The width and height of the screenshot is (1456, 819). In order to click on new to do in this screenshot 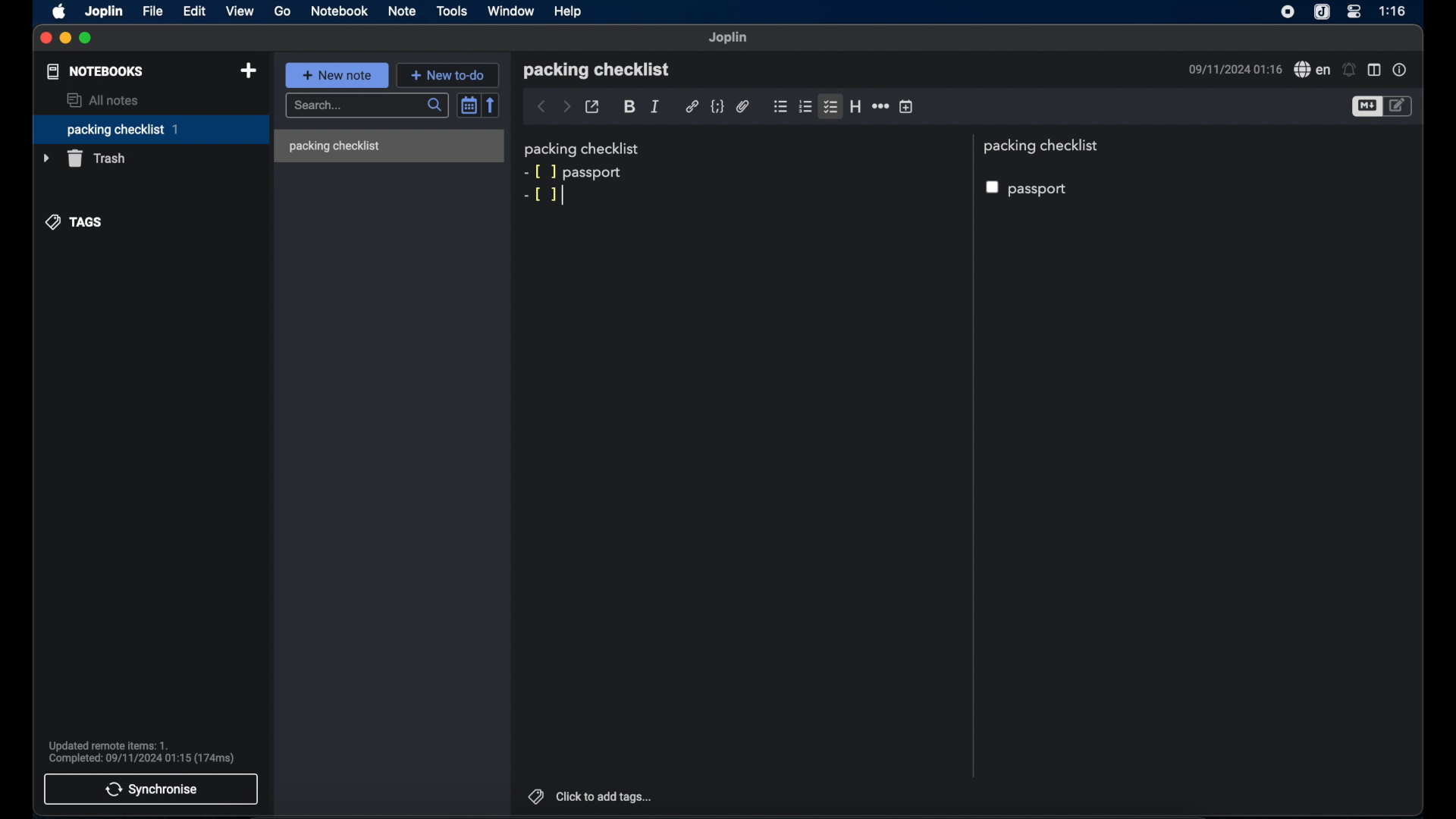, I will do `click(448, 74)`.